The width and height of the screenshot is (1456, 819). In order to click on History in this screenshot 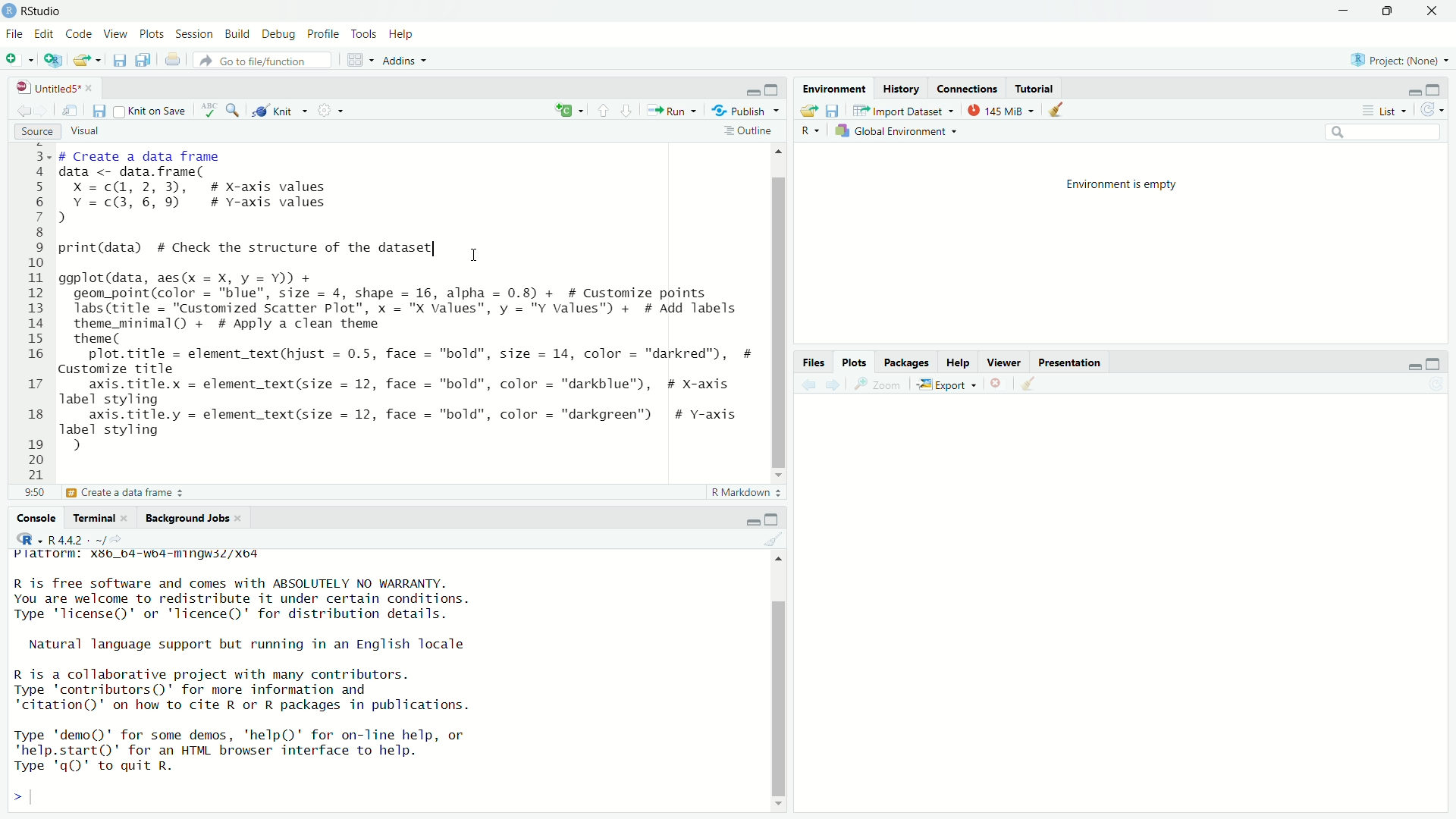, I will do `click(899, 89)`.